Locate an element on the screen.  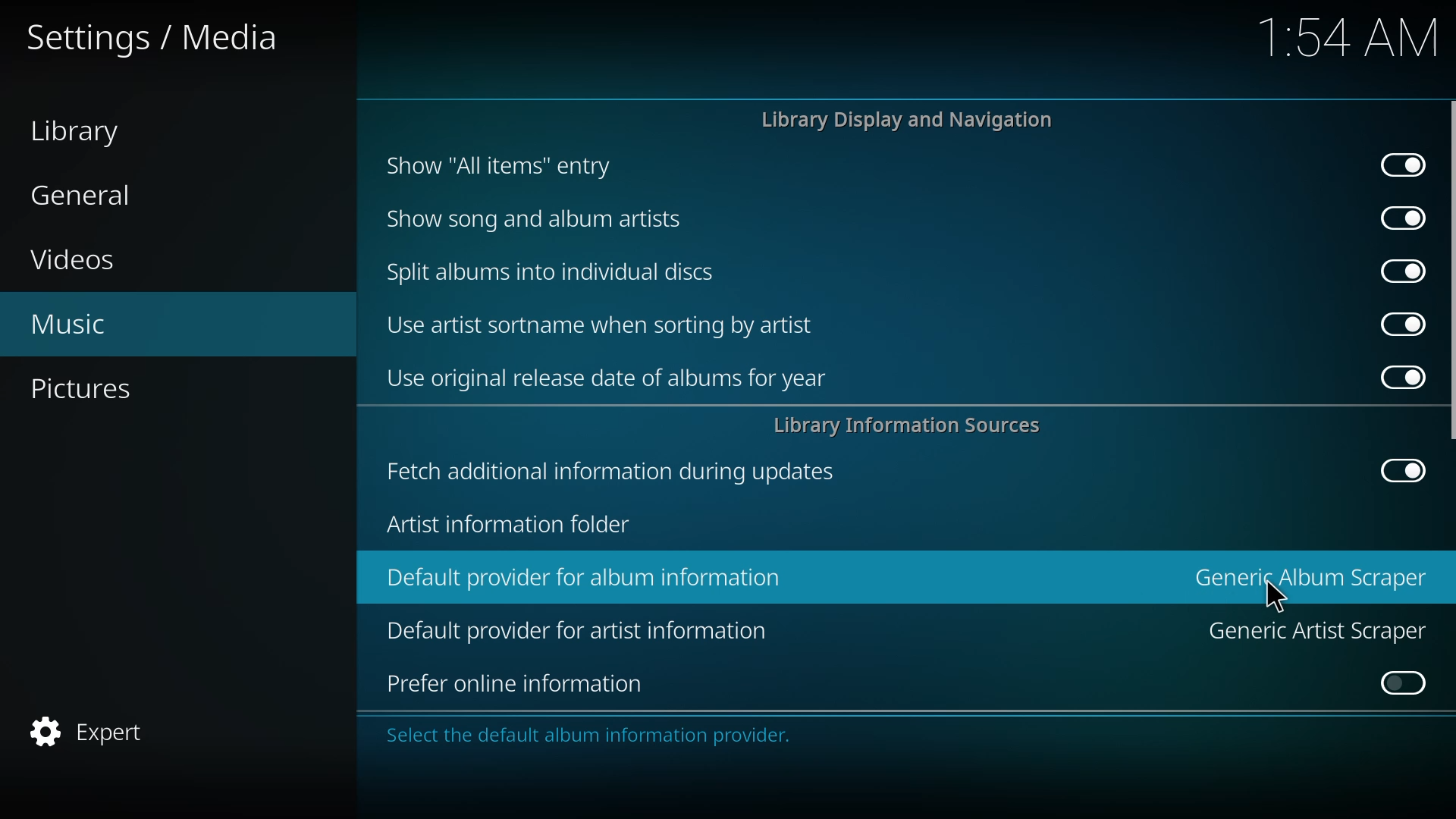
info is located at coordinates (861, 739).